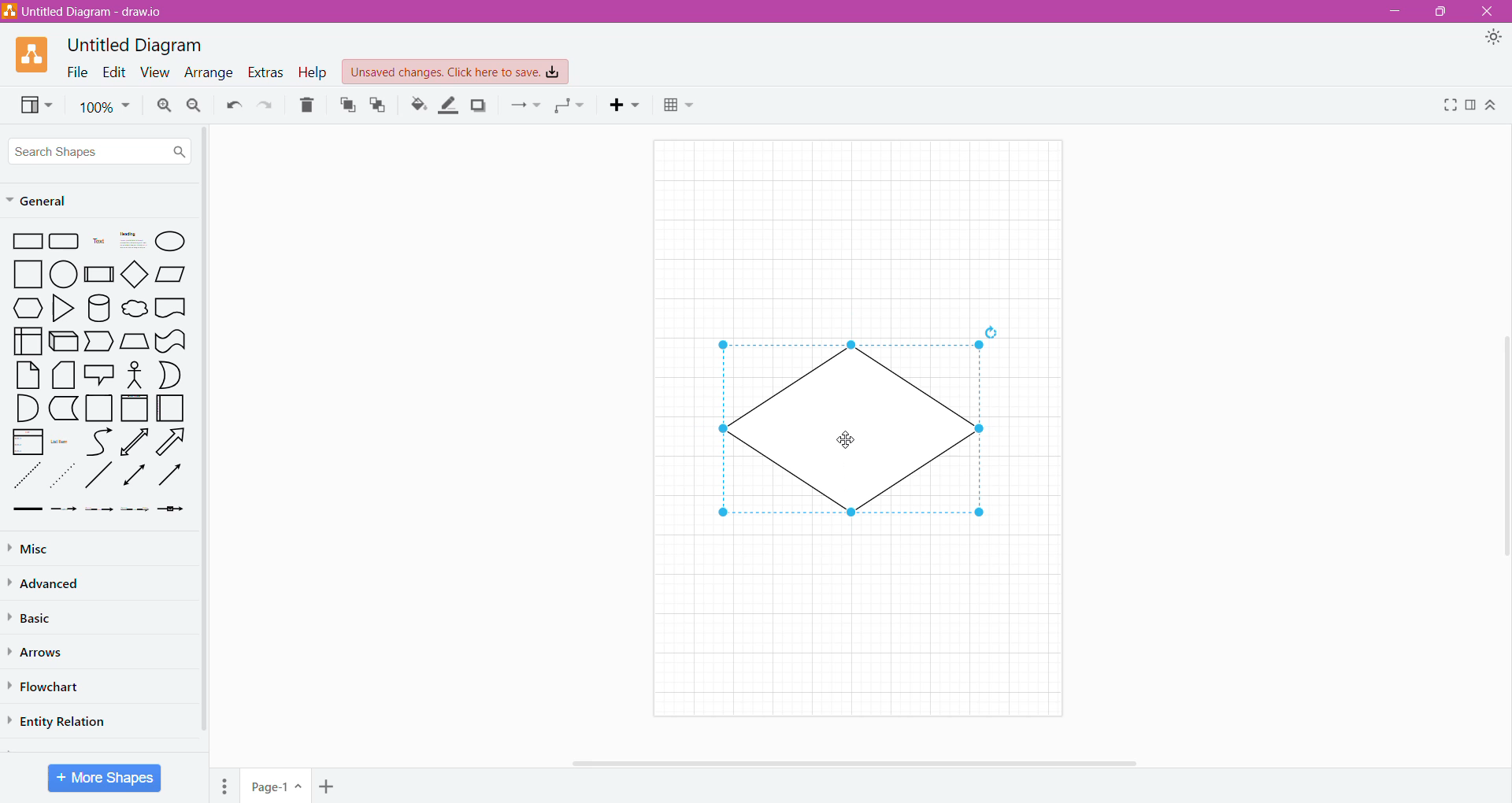  What do you see at coordinates (194, 106) in the screenshot?
I see `Zoom Out` at bounding box center [194, 106].